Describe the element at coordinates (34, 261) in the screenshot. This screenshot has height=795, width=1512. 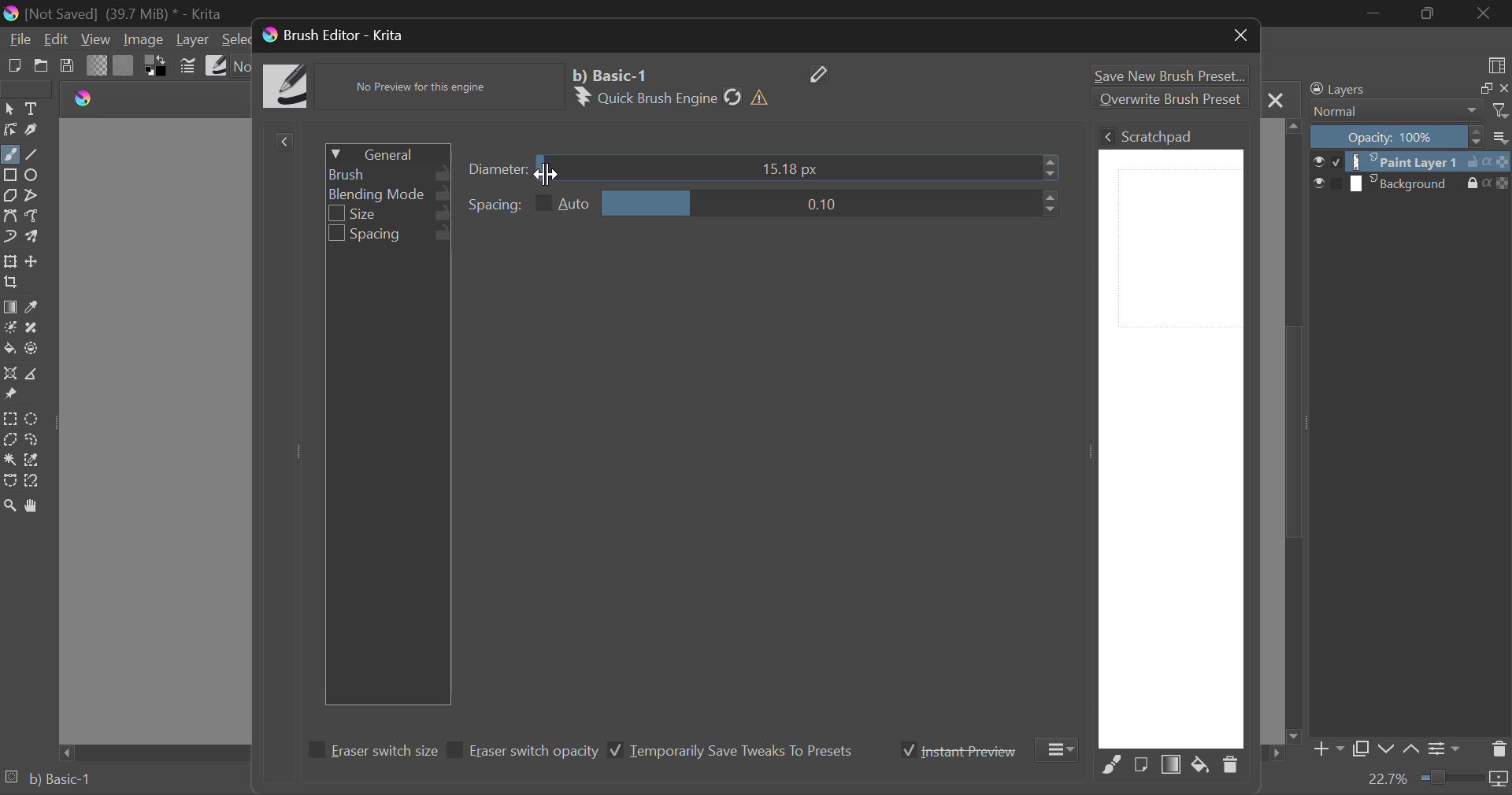
I see `Move Layer` at that location.